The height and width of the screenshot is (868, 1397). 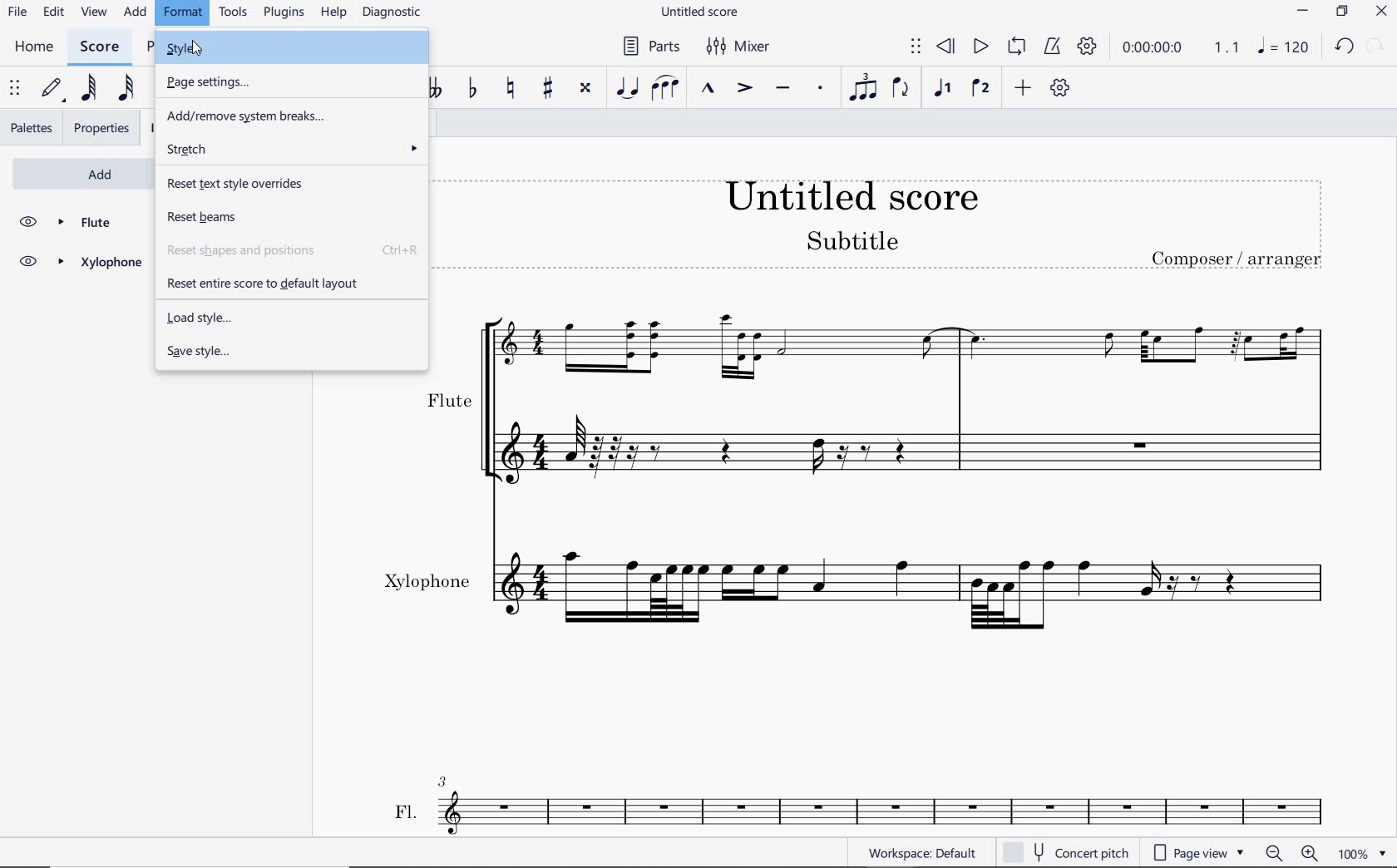 What do you see at coordinates (943, 91) in the screenshot?
I see `VOICE 1` at bounding box center [943, 91].